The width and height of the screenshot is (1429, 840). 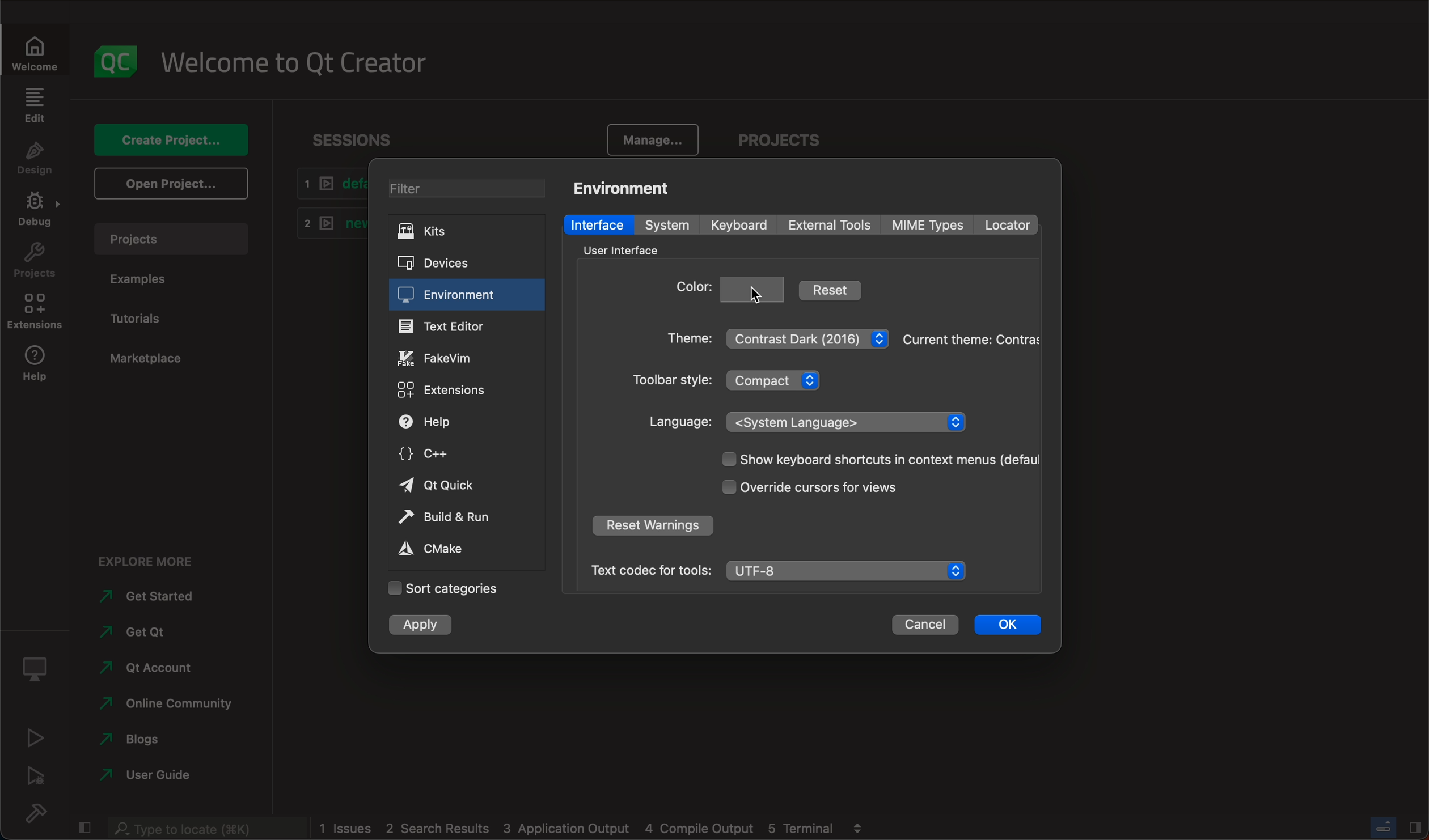 What do you see at coordinates (34, 160) in the screenshot?
I see `Design` at bounding box center [34, 160].